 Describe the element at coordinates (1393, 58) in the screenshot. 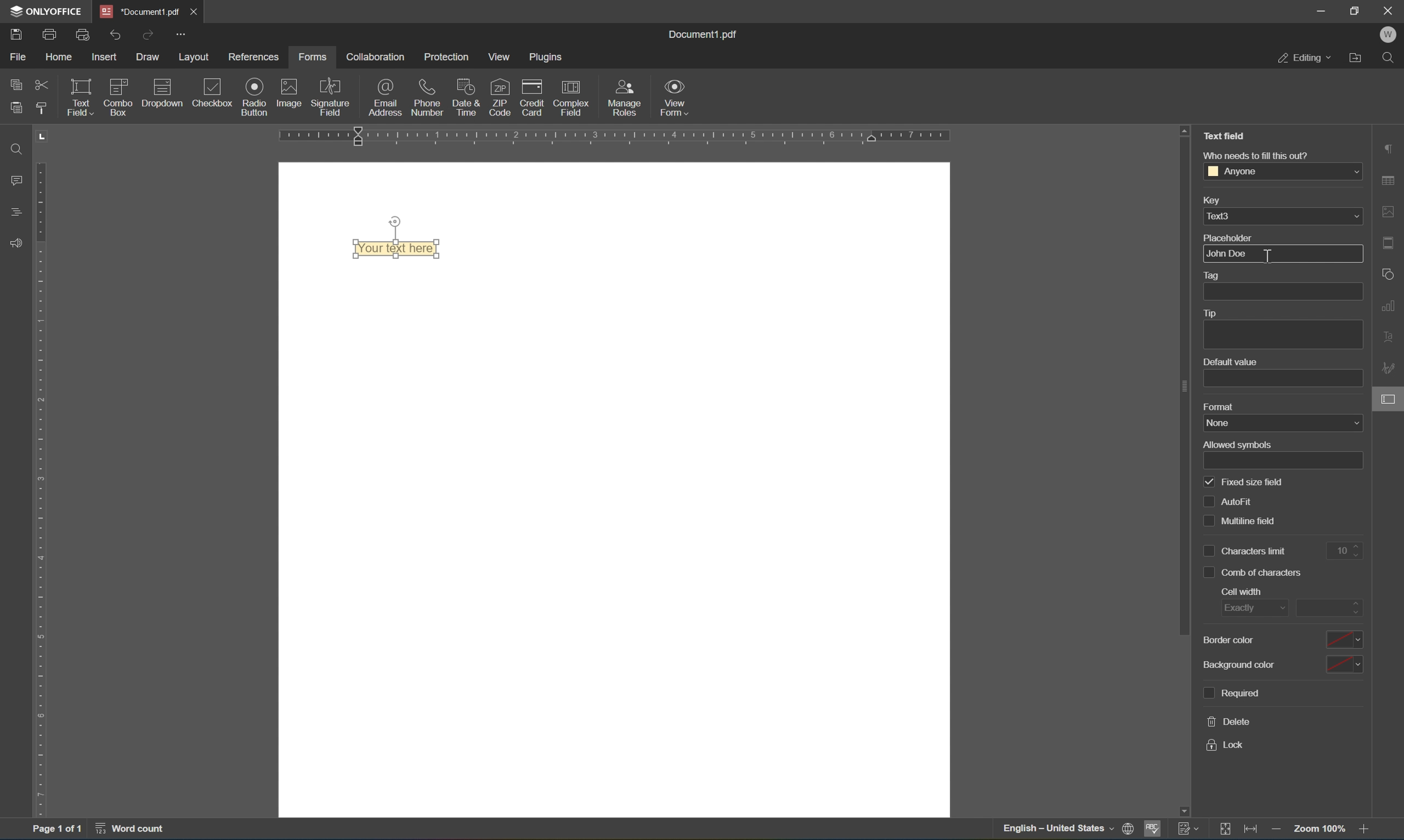

I see `Find` at that location.